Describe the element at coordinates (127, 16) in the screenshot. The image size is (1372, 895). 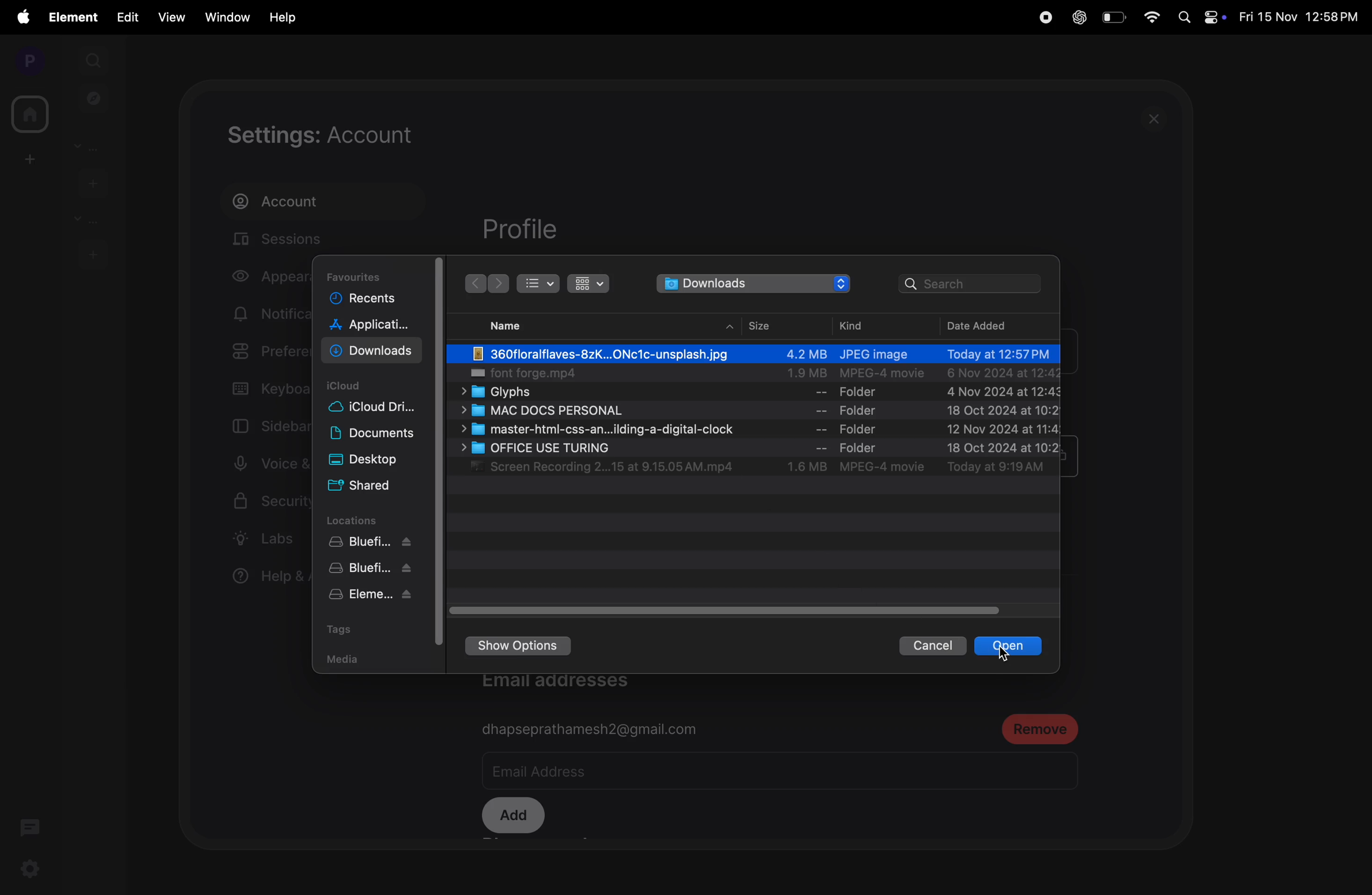
I see `edit` at that location.